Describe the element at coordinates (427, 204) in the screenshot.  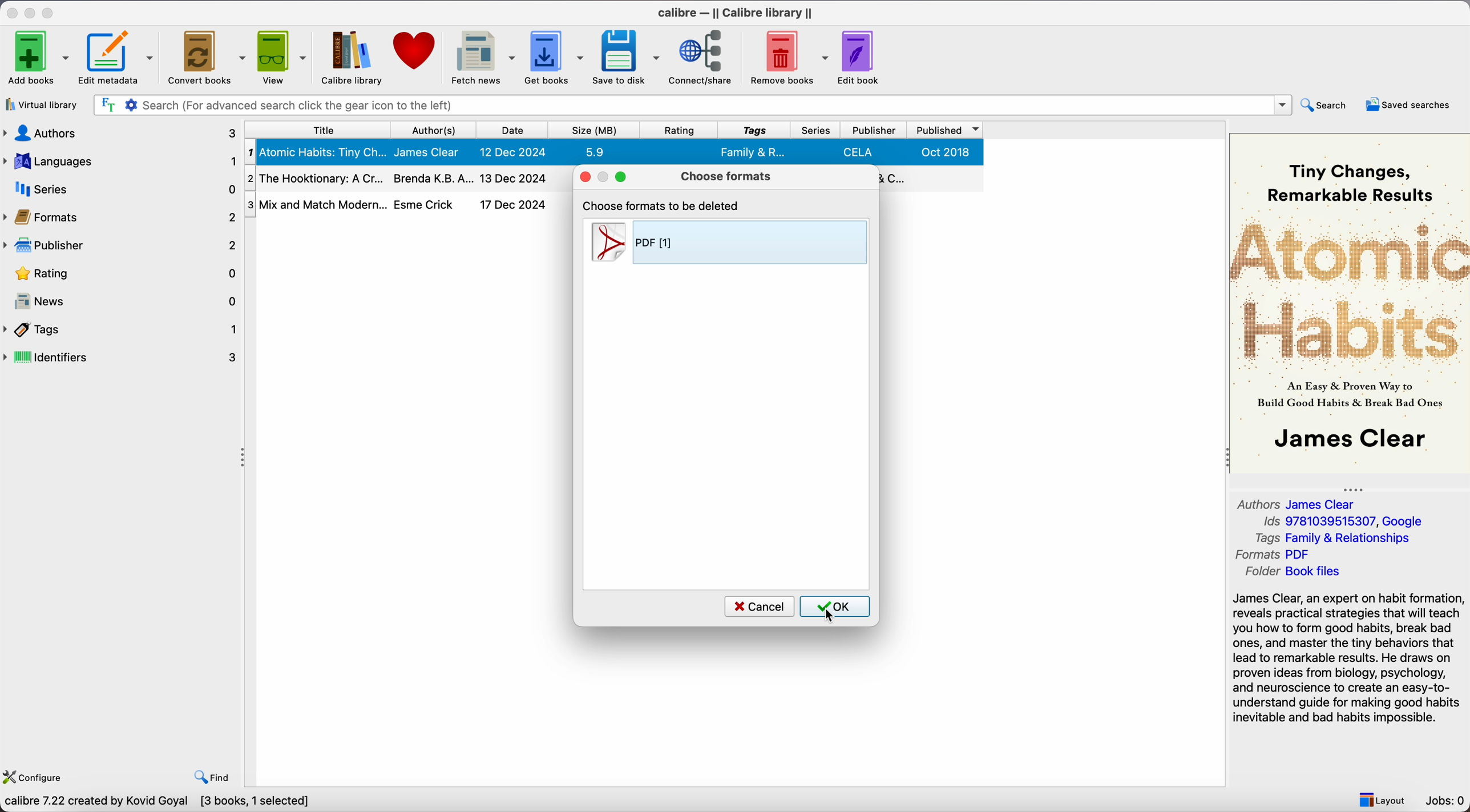
I see `Esme Crick` at that location.